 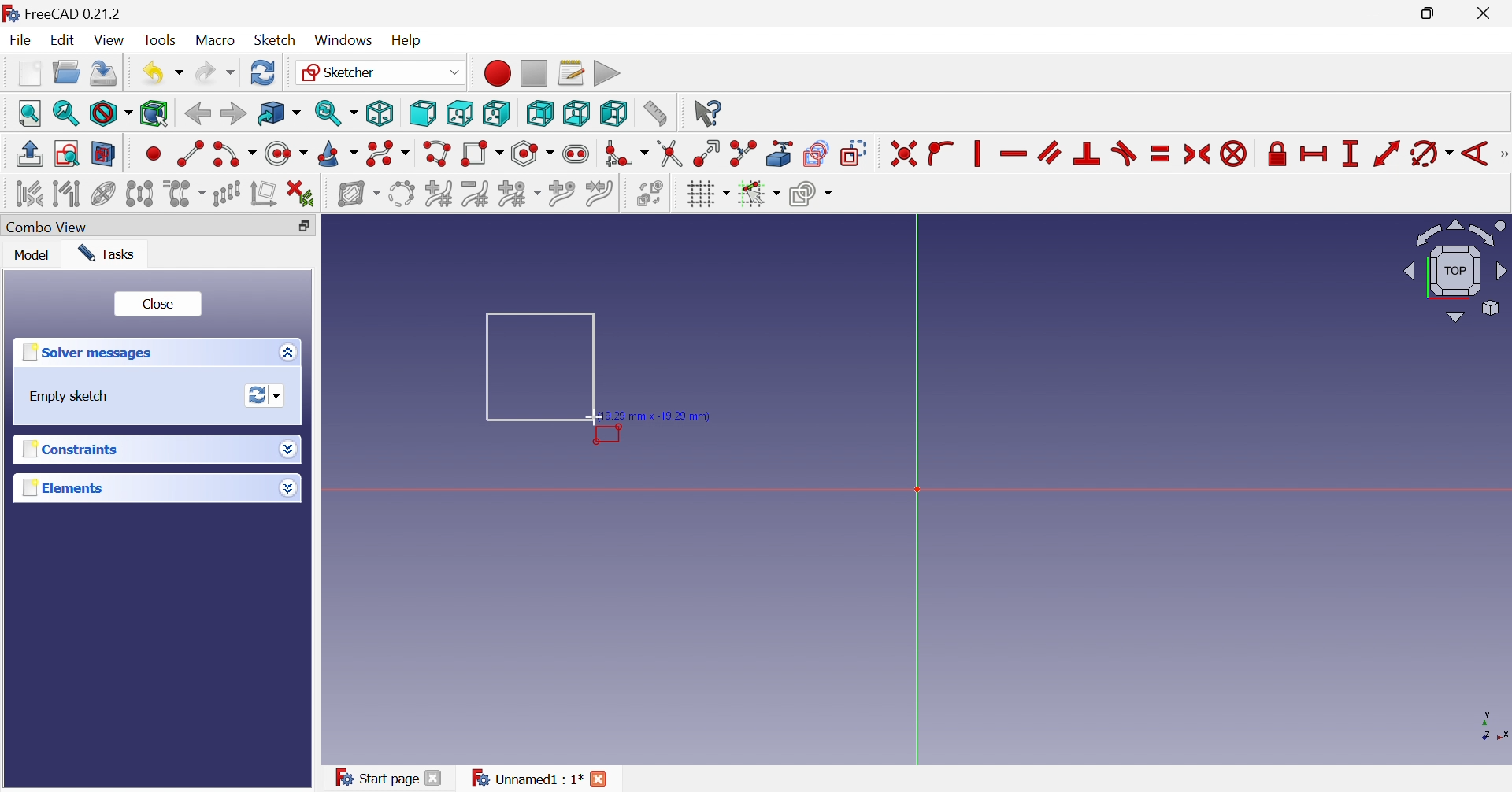 I want to click on Clone, so click(x=184, y=194).